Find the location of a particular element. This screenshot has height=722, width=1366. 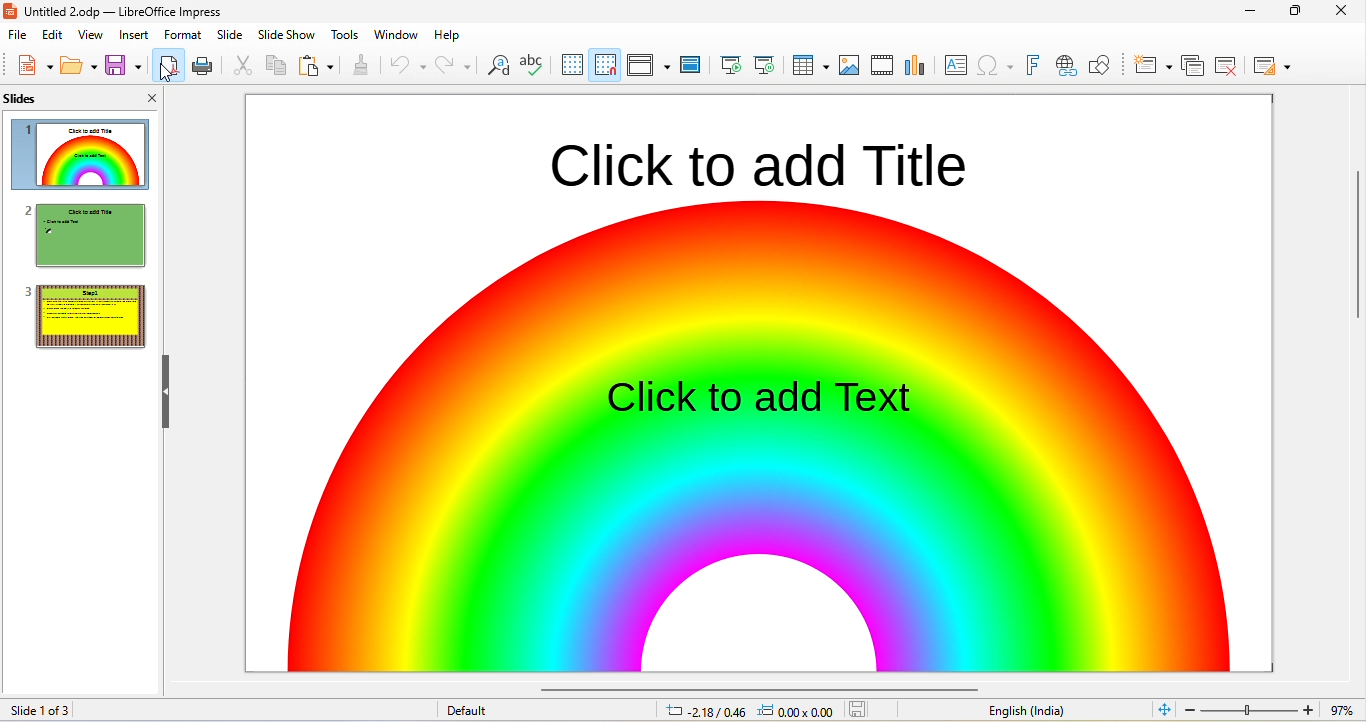

slideshow is located at coordinates (287, 35).